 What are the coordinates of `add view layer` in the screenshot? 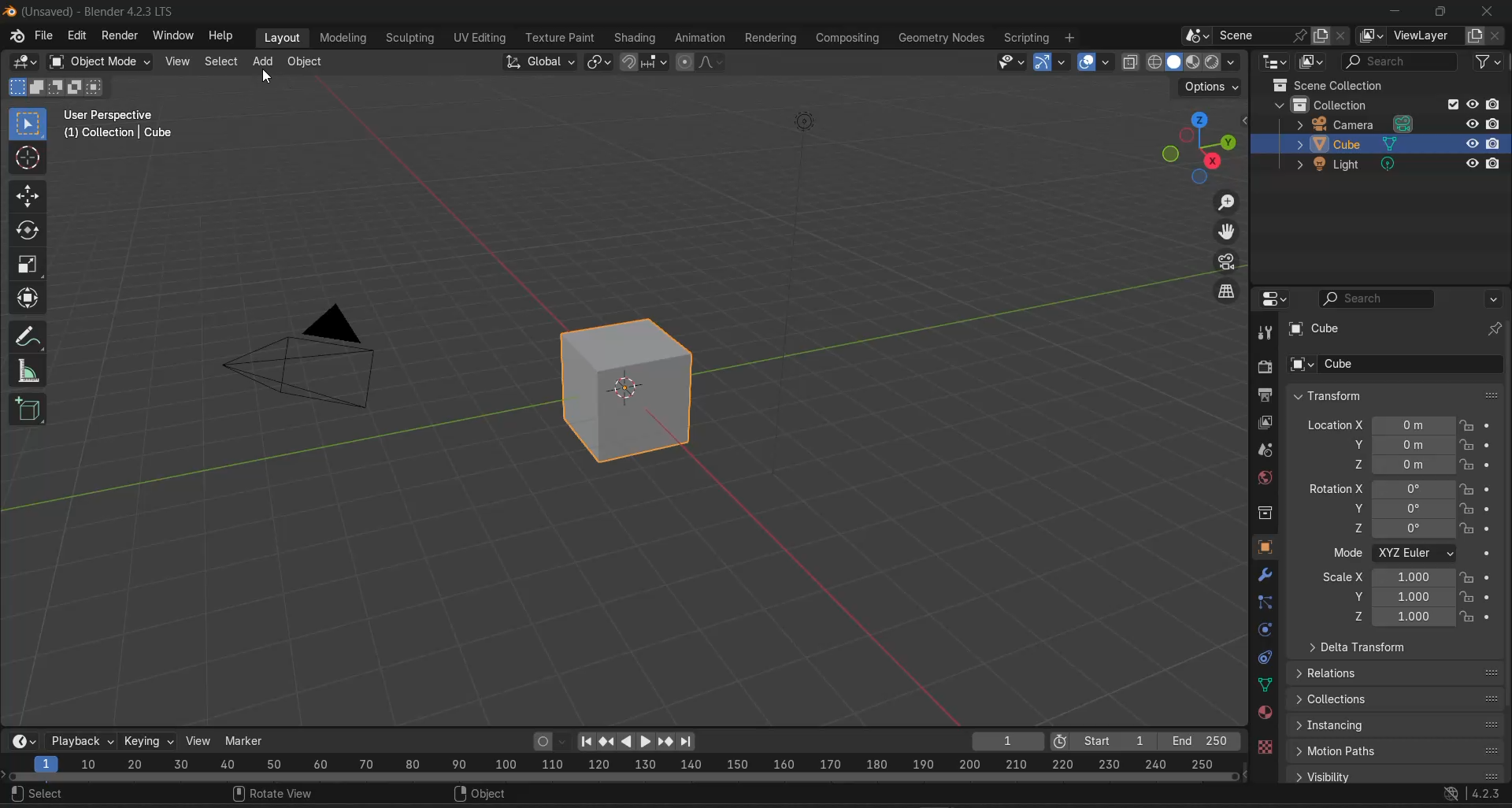 It's located at (1474, 36).